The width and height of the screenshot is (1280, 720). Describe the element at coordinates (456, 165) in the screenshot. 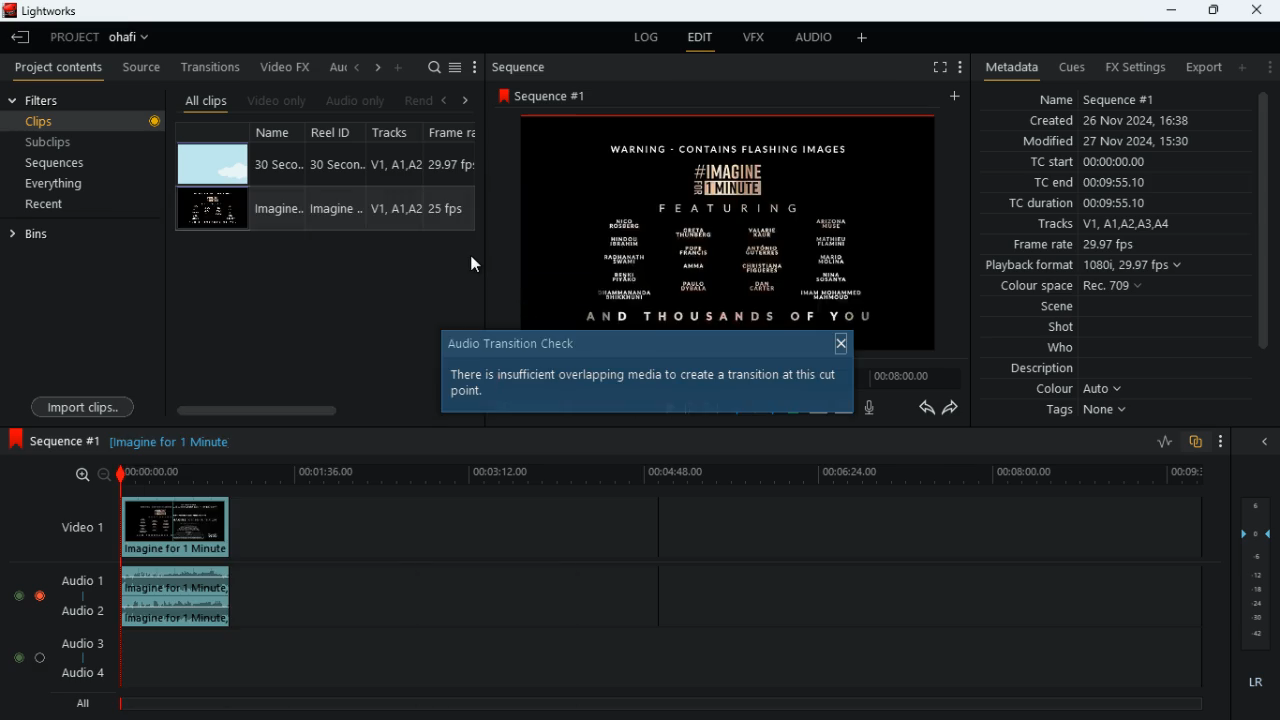

I see `29.97 fps` at that location.